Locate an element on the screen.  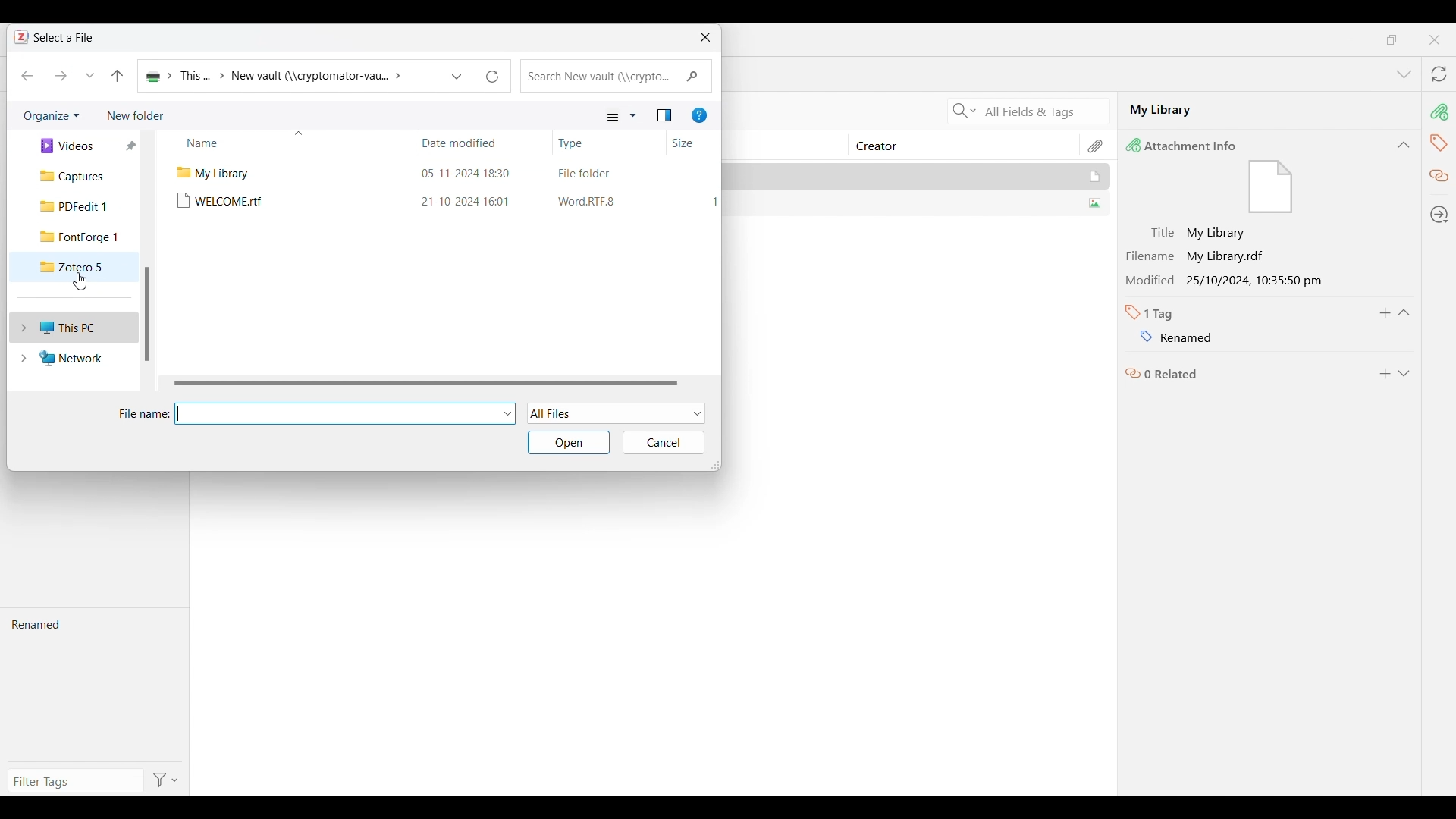
Files in selected folder is located at coordinates (221, 174).